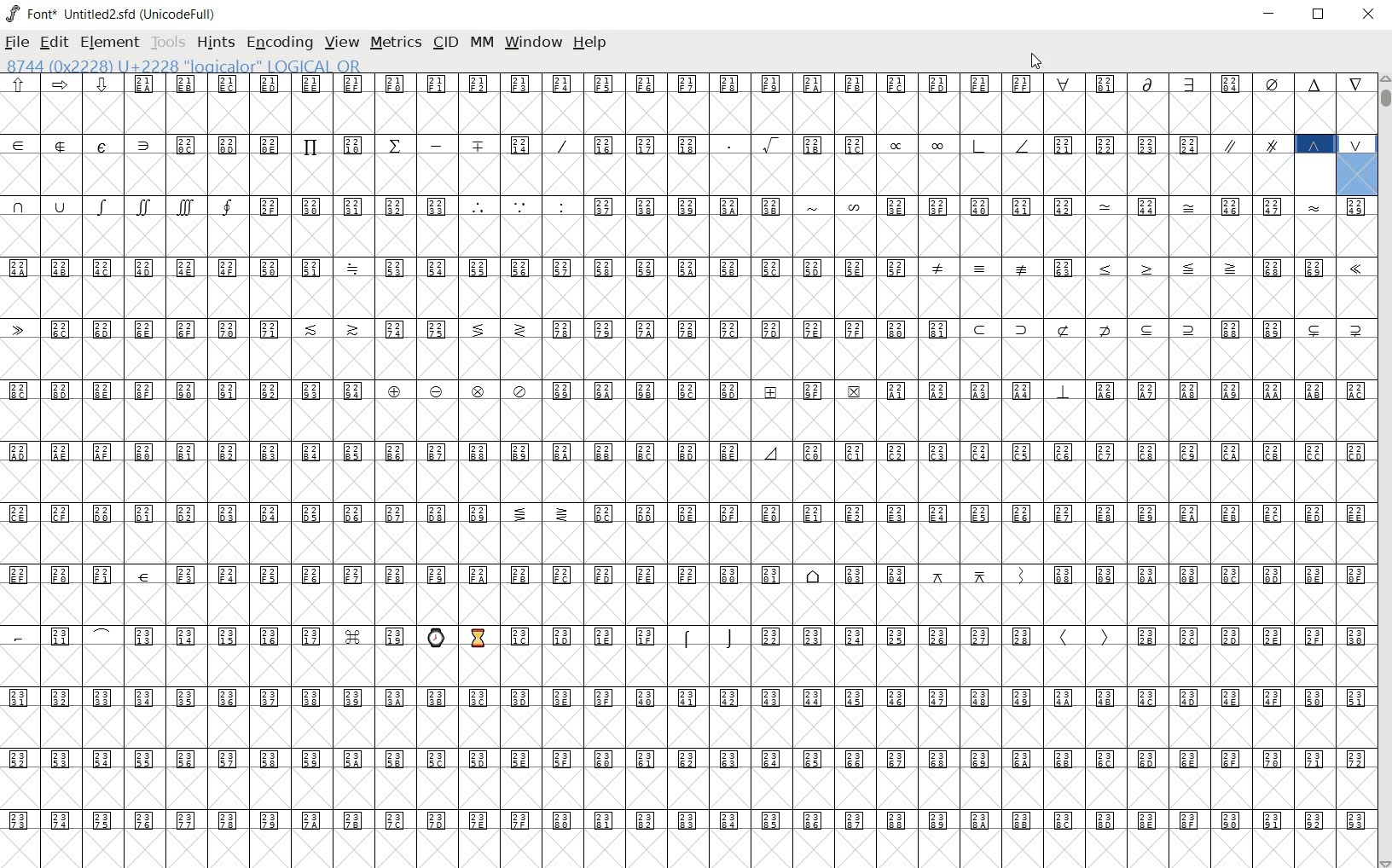  I want to click on 8744 (0x2228) U+2228 "logicalor" LOGICAL OR, so click(1350, 175).